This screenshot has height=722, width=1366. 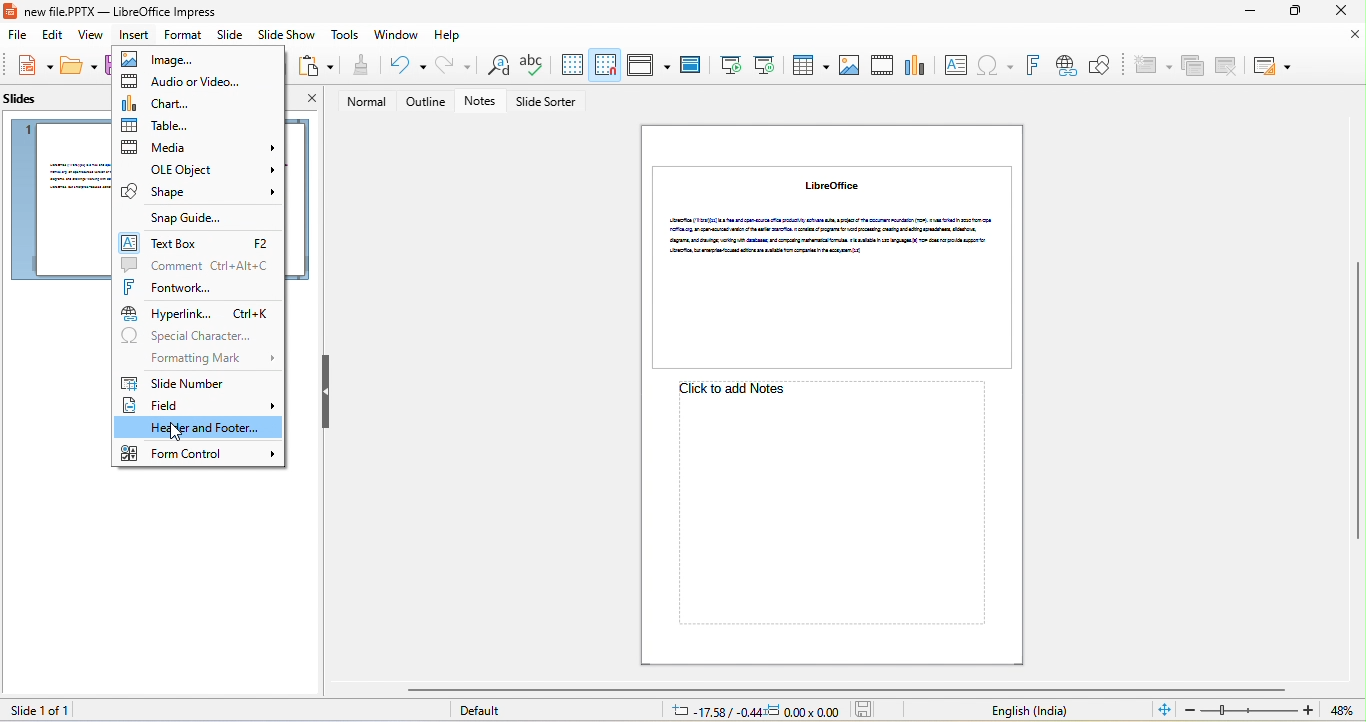 I want to click on maximize, so click(x=1293, y=12).